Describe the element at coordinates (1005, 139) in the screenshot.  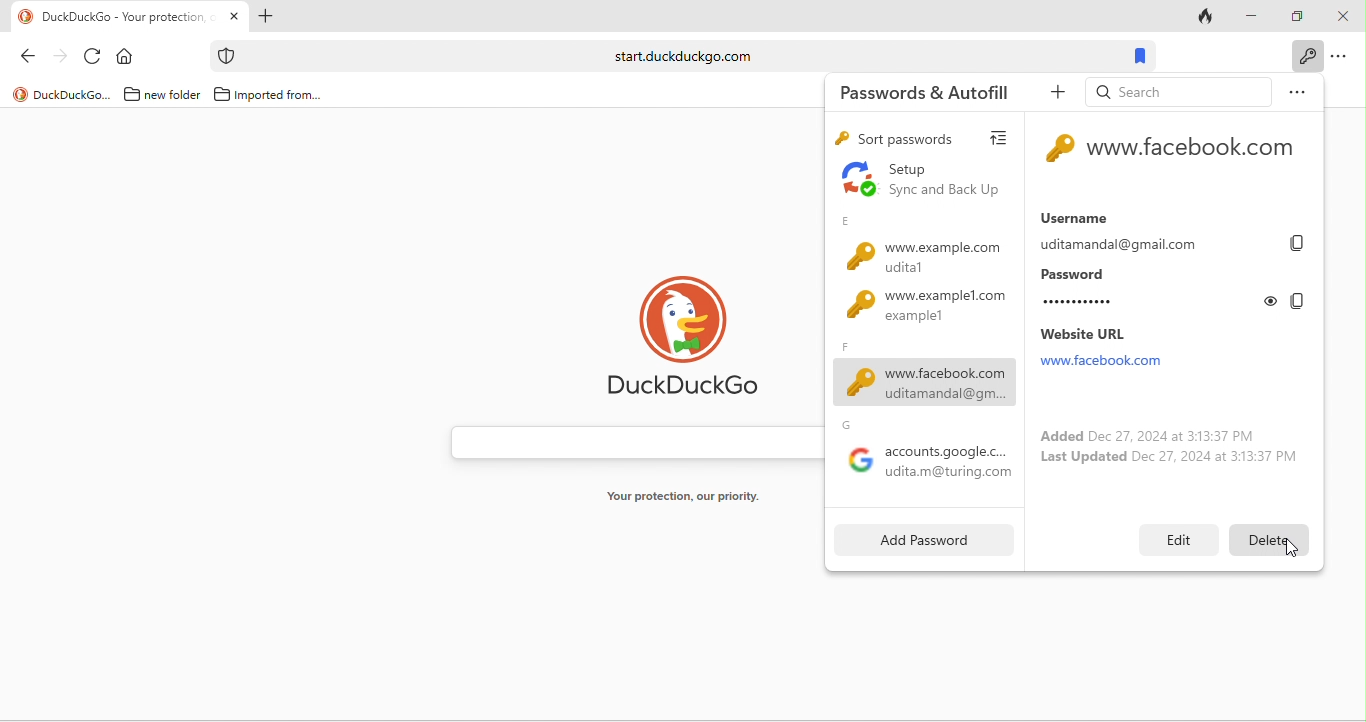
I see `view` at that location.